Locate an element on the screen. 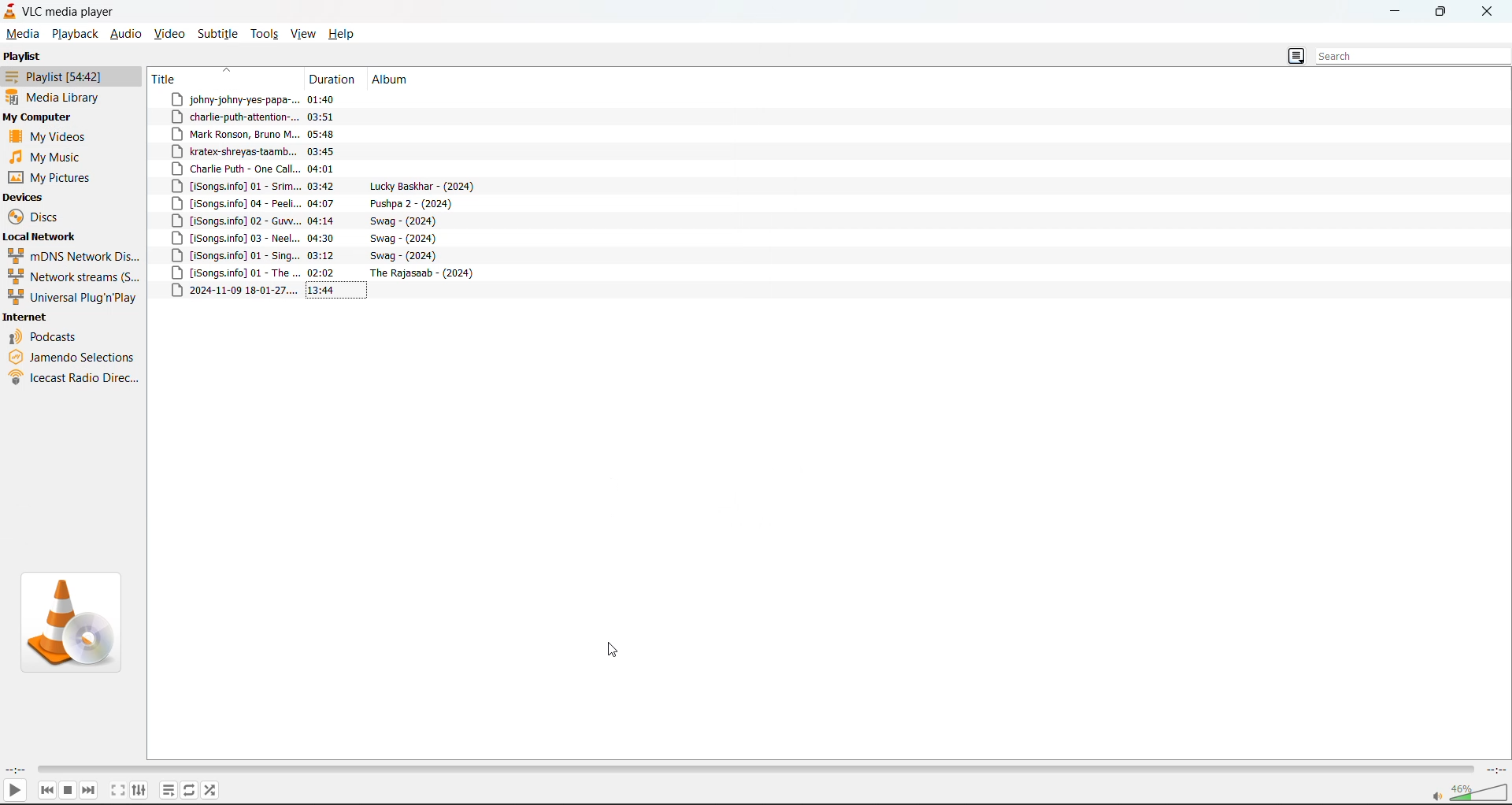  cursor is located at coordinates (616, 648).